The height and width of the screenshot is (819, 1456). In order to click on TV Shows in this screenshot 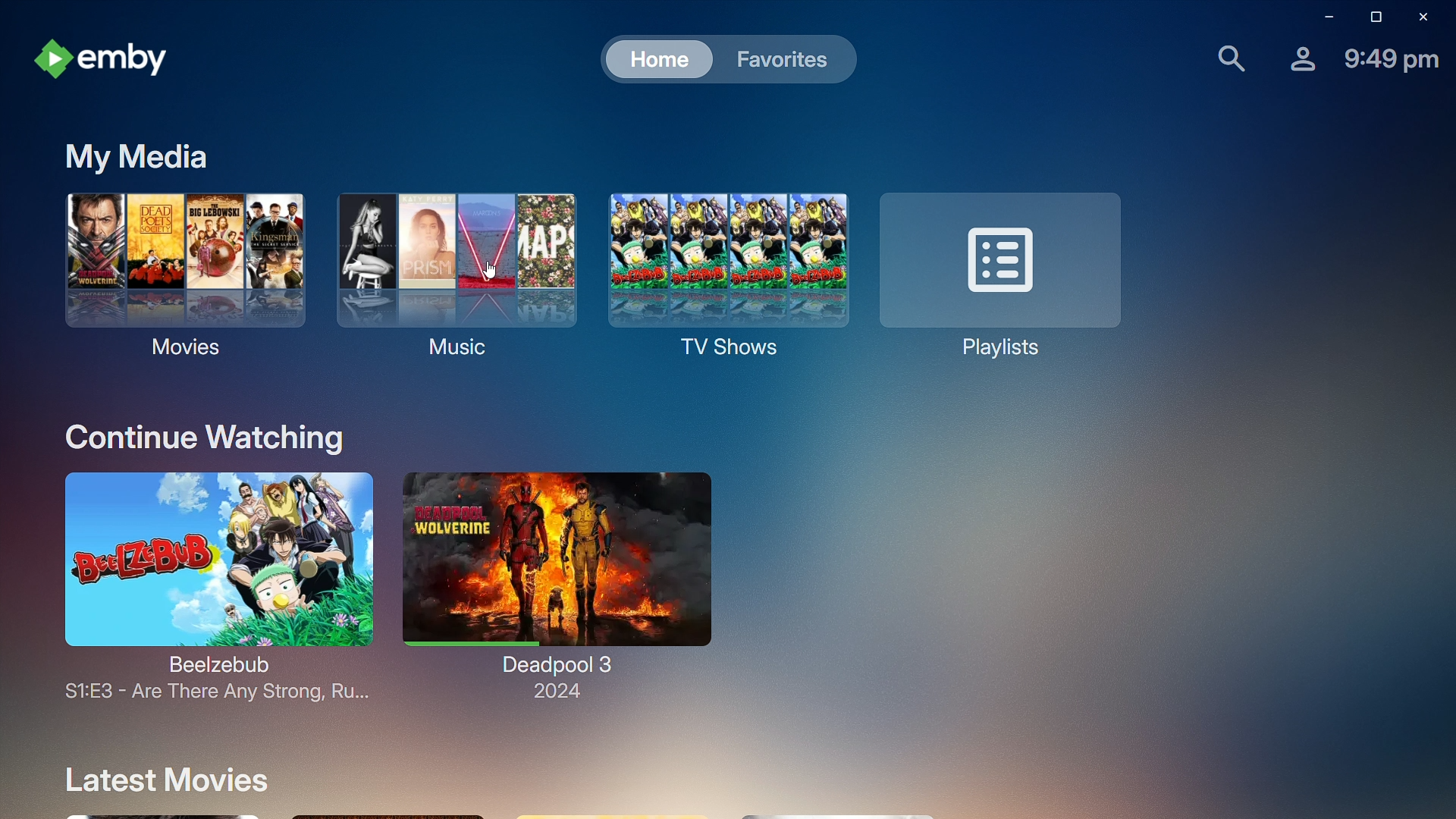, I will do `click(721, 275)`.